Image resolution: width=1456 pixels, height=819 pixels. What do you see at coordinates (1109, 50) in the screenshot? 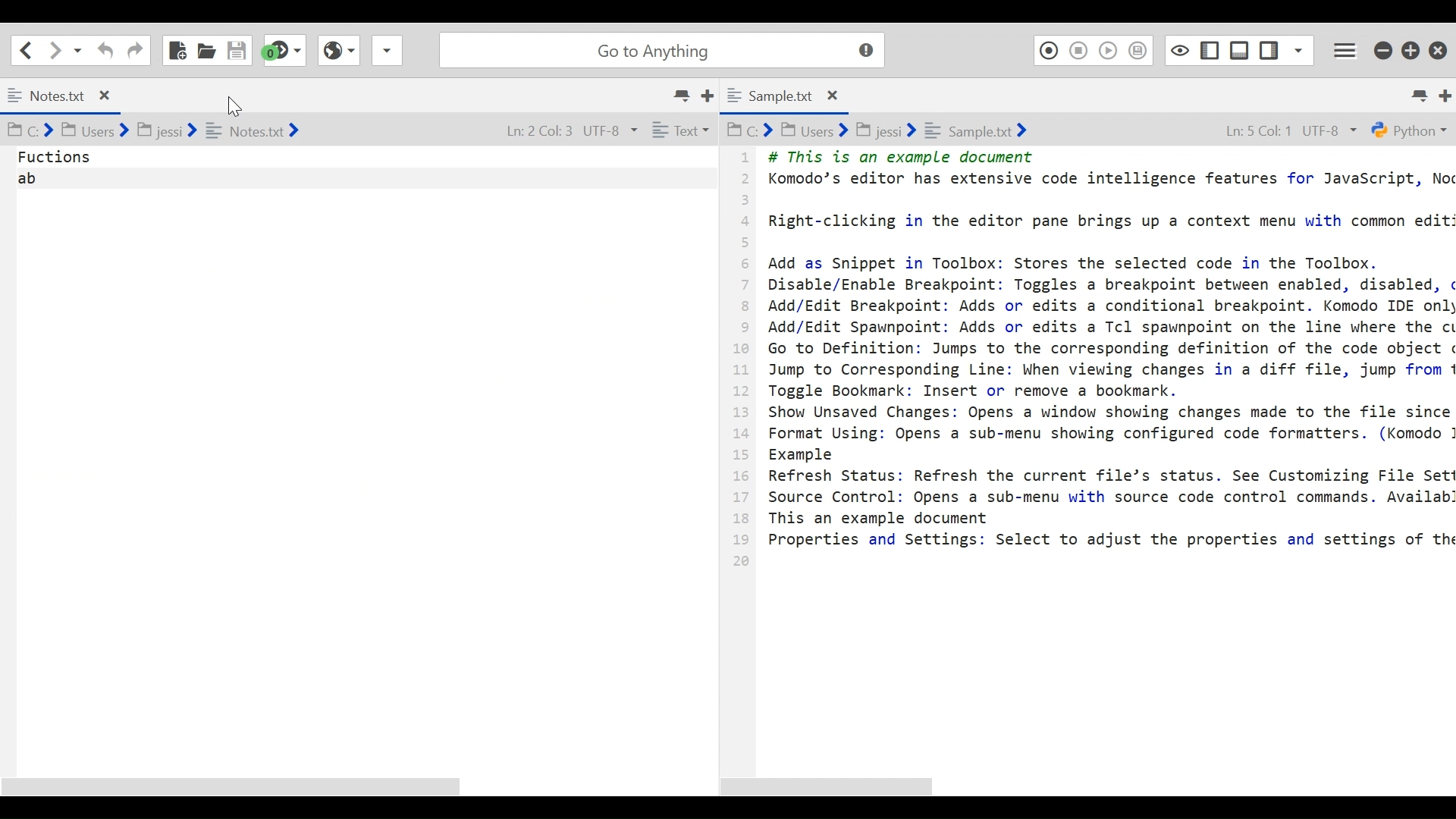
I see `Play Last Macro` at bounding box center [1109, 50].